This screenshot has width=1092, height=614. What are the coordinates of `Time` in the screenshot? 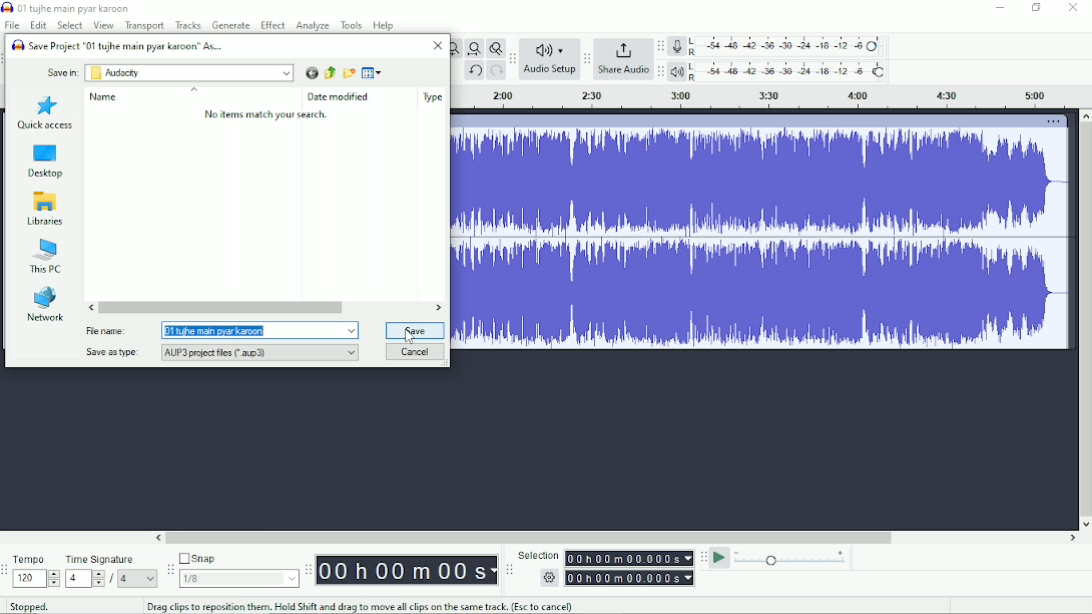 It's located at (408, 569).